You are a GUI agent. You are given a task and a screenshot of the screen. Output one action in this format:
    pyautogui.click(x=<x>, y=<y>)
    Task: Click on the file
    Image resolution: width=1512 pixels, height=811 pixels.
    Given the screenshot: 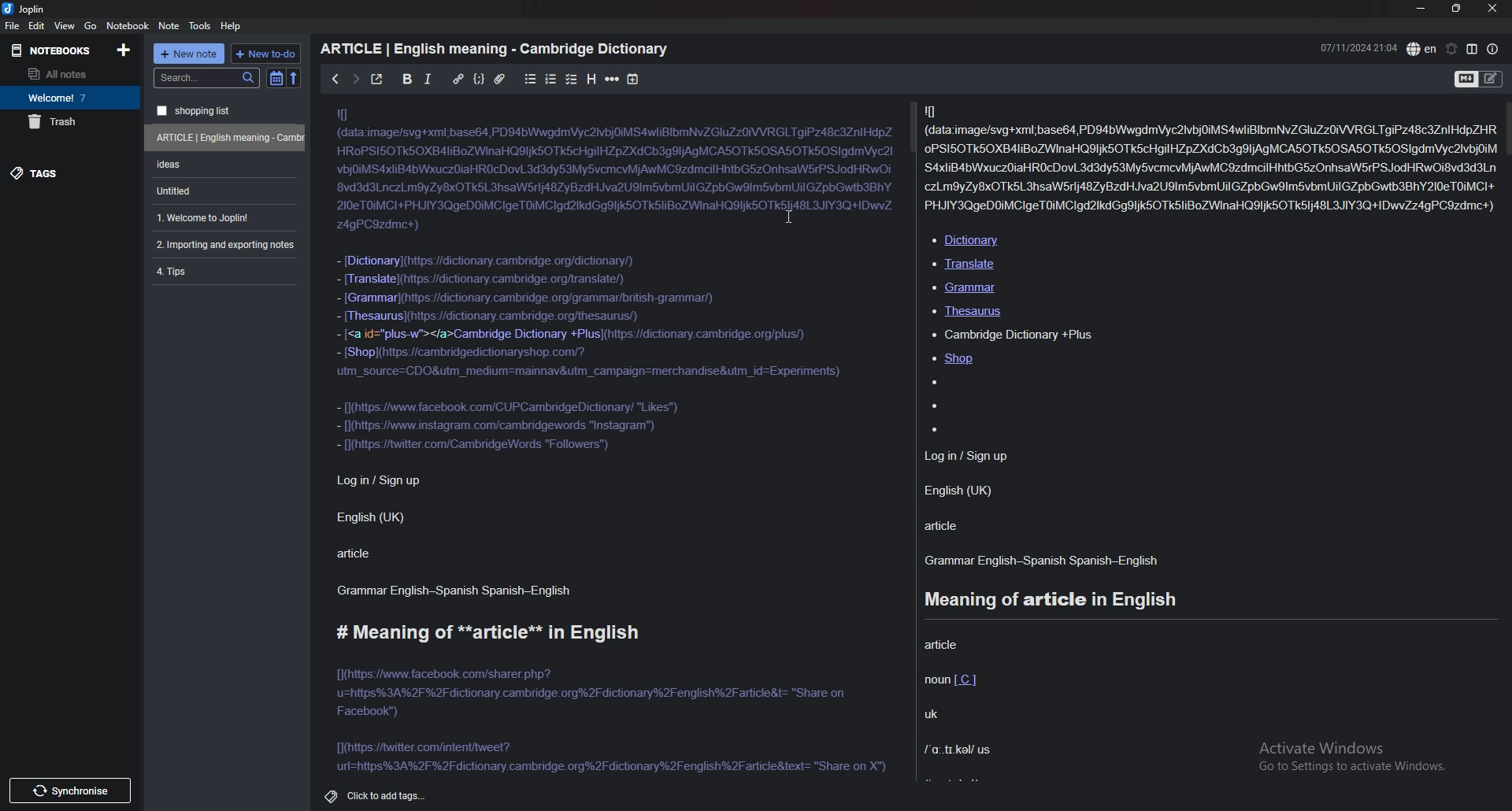 What is the action you would take?
    pyautogui.click(x=13, y=26)
    